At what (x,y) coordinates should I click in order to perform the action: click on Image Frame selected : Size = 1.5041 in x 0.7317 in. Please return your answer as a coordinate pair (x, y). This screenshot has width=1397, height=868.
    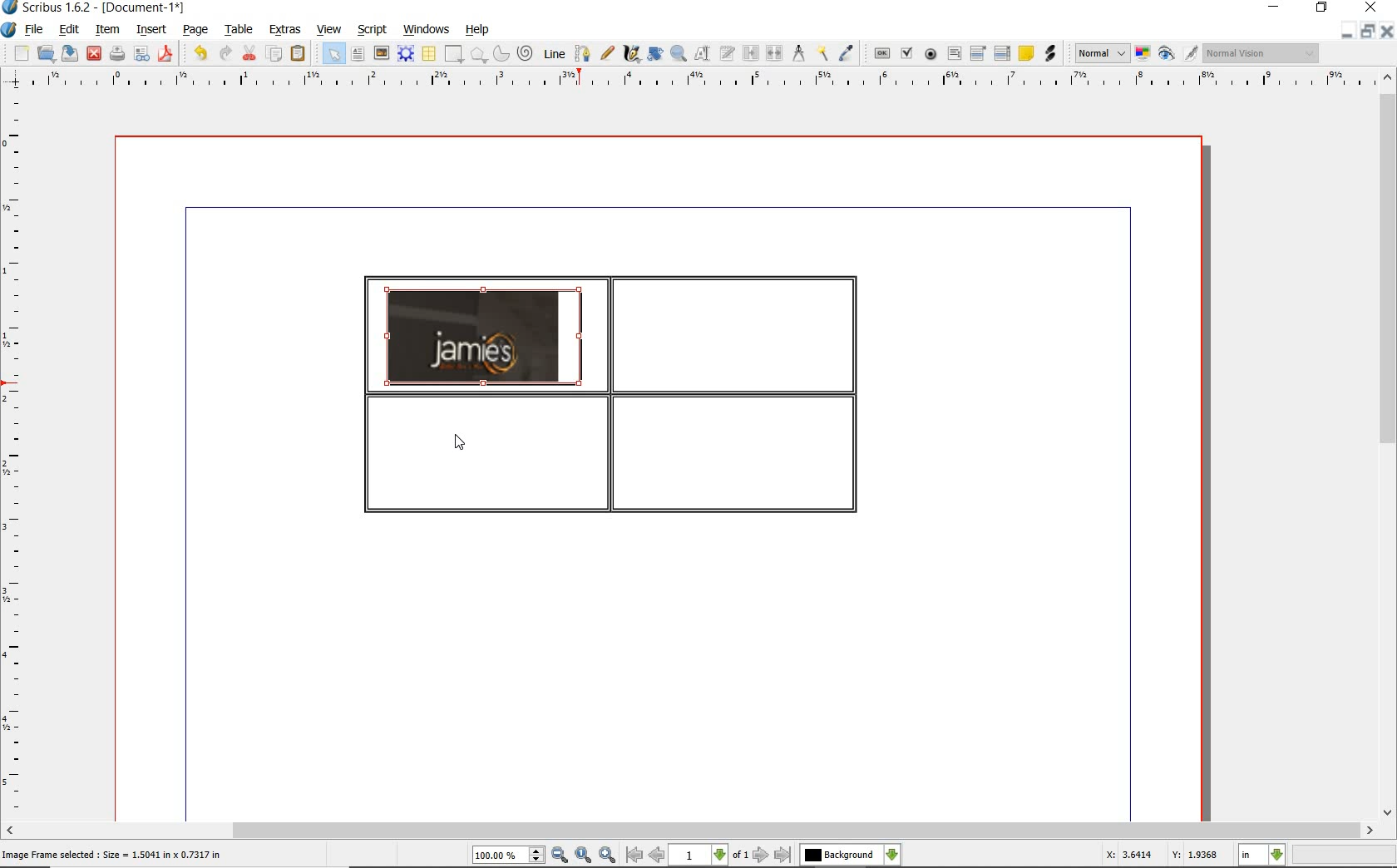
    Looking at the image, I should click on (112, 853).